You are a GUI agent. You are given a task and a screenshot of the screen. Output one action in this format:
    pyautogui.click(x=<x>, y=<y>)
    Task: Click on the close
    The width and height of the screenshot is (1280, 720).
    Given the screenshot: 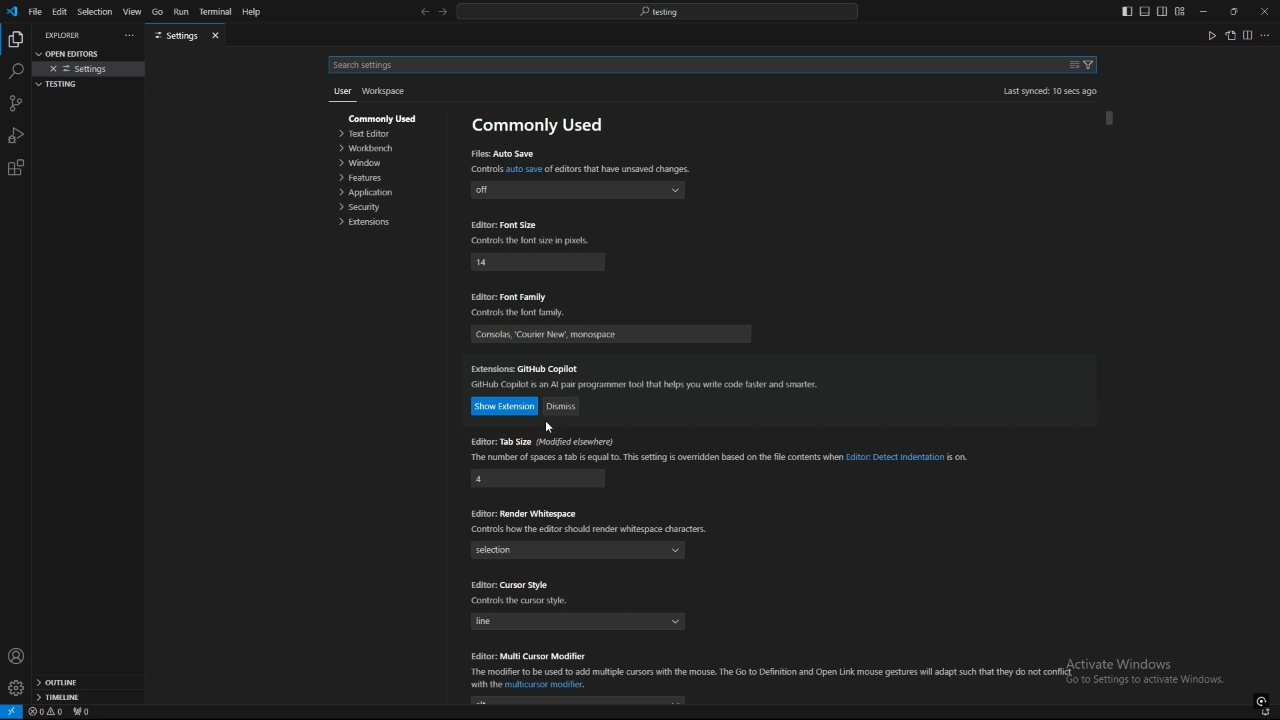 What is the action you would take?
    pyautogui.click(x=545, y=425)
    